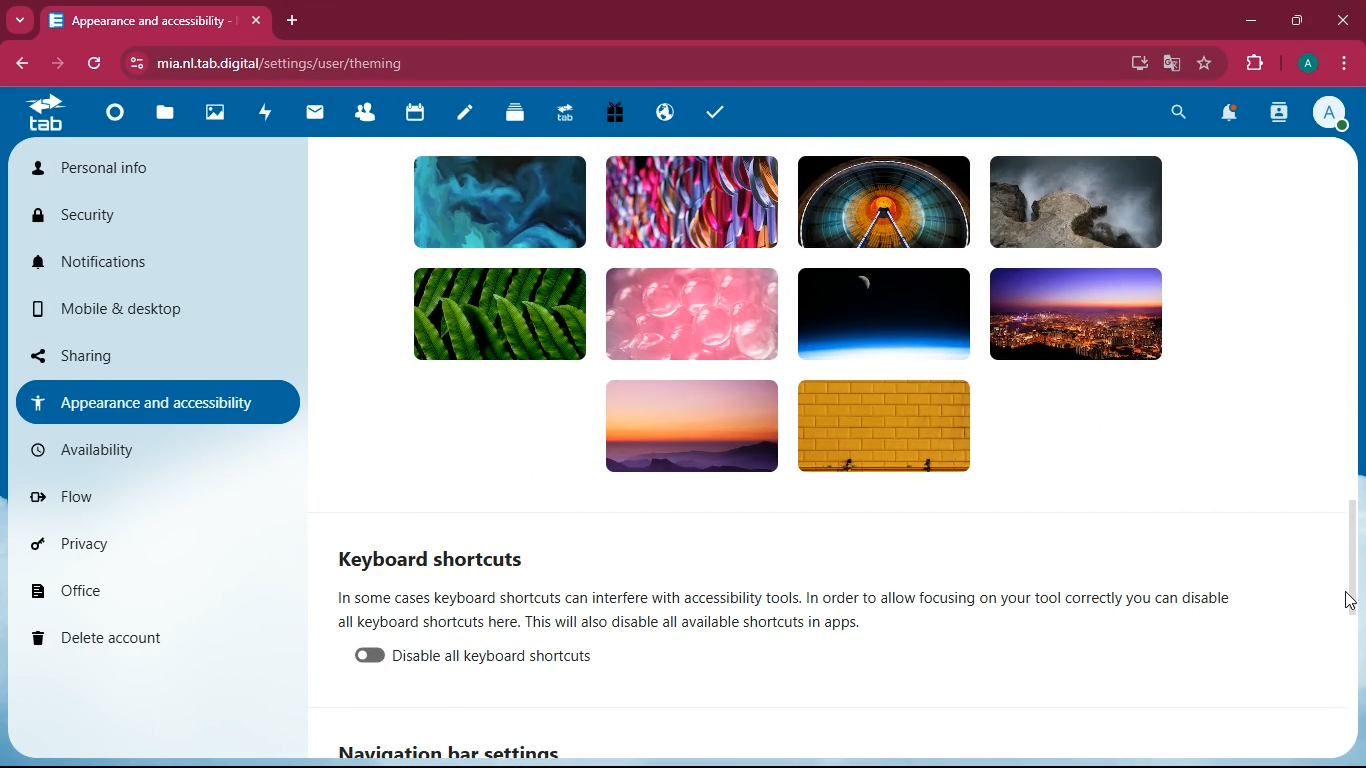 This screenshot has height=768, width=1366. Describe the element at coordinates (166, 113) in the screenshot. I see `files` at that location.